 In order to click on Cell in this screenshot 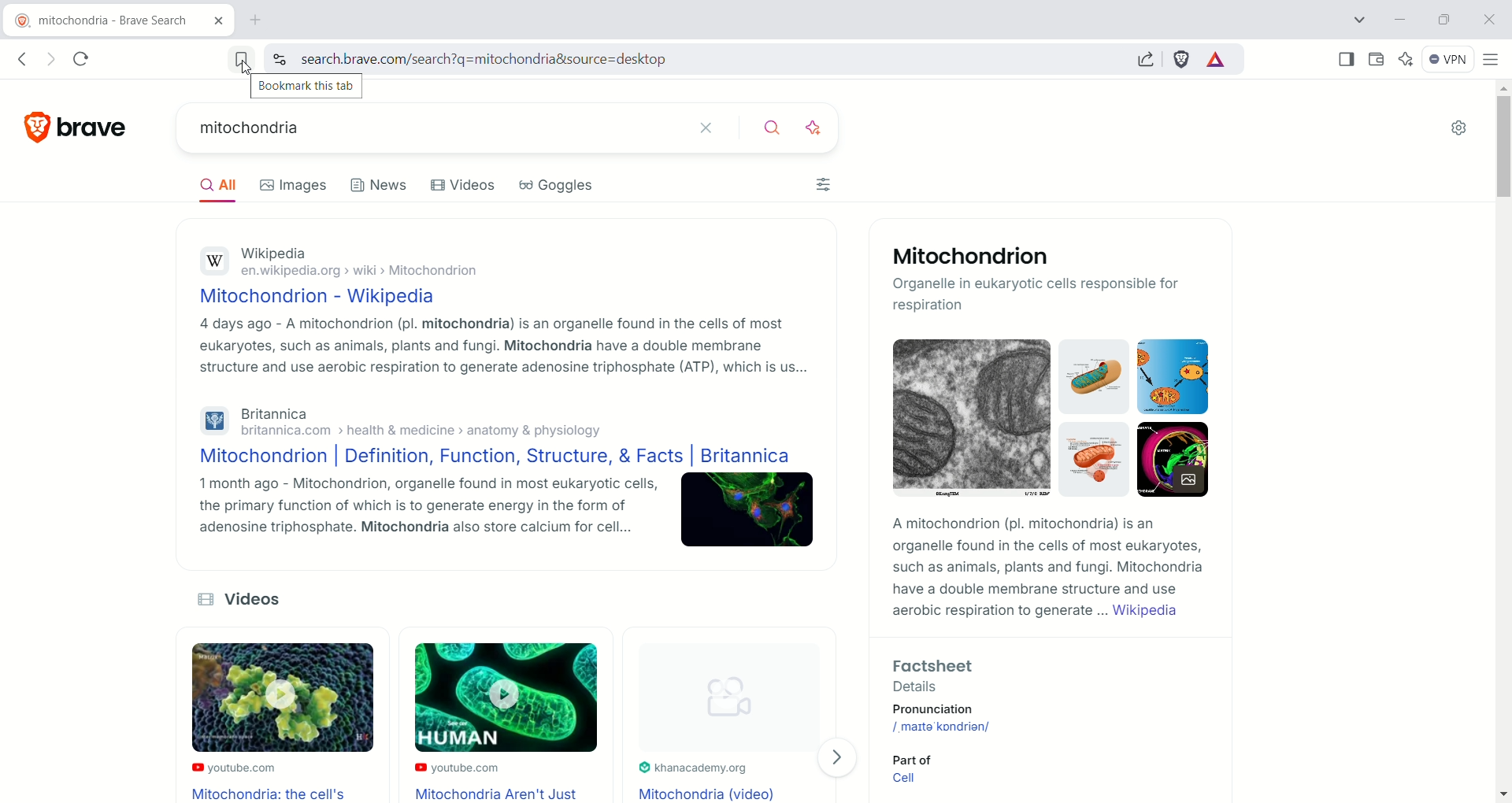, I will do `click(909, 781)`.